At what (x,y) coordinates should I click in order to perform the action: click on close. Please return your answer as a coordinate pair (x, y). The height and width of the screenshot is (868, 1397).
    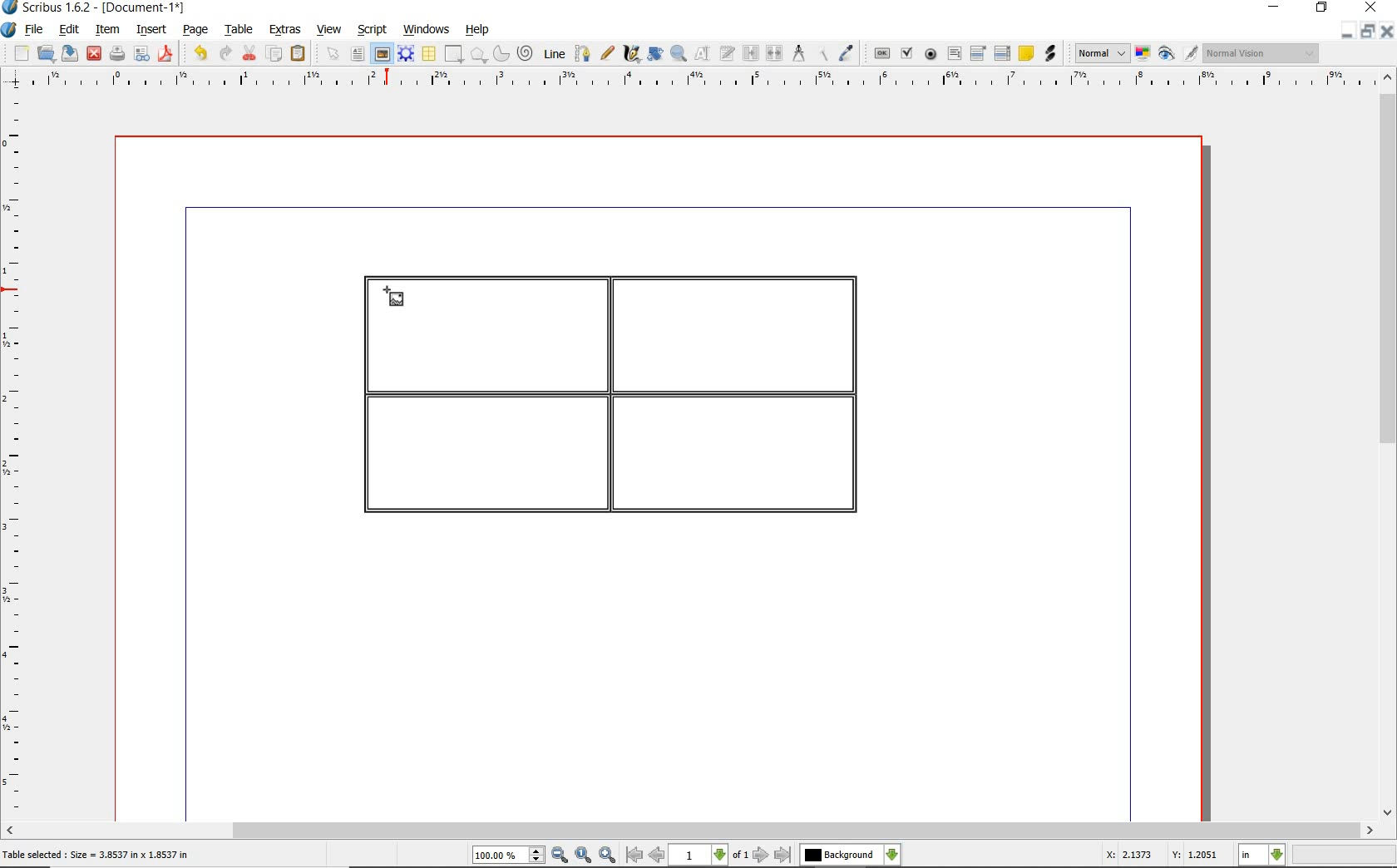
    Looking at the image, I should click on (93, 52).